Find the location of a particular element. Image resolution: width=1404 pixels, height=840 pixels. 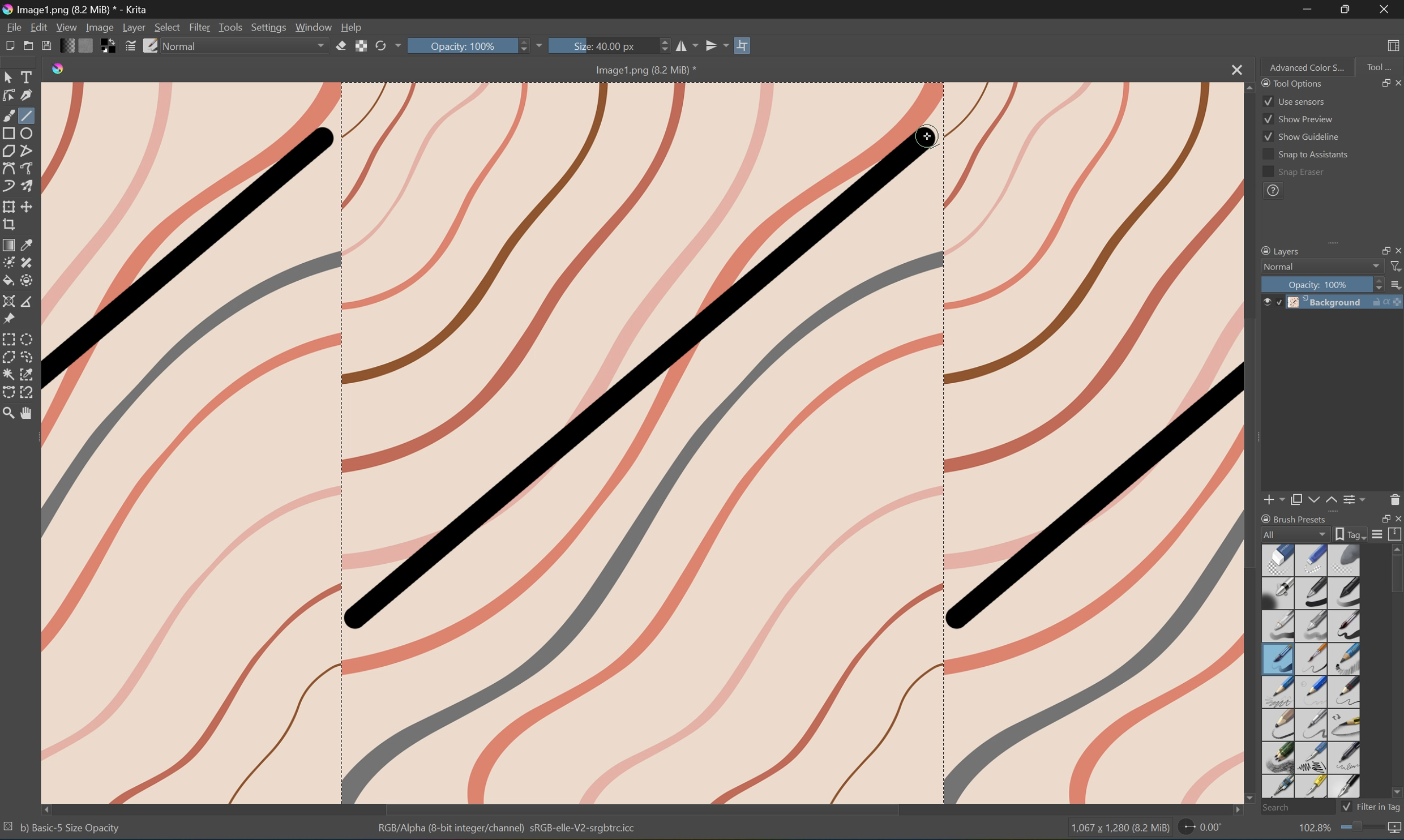

Tools is located at coordinates (232, 27).